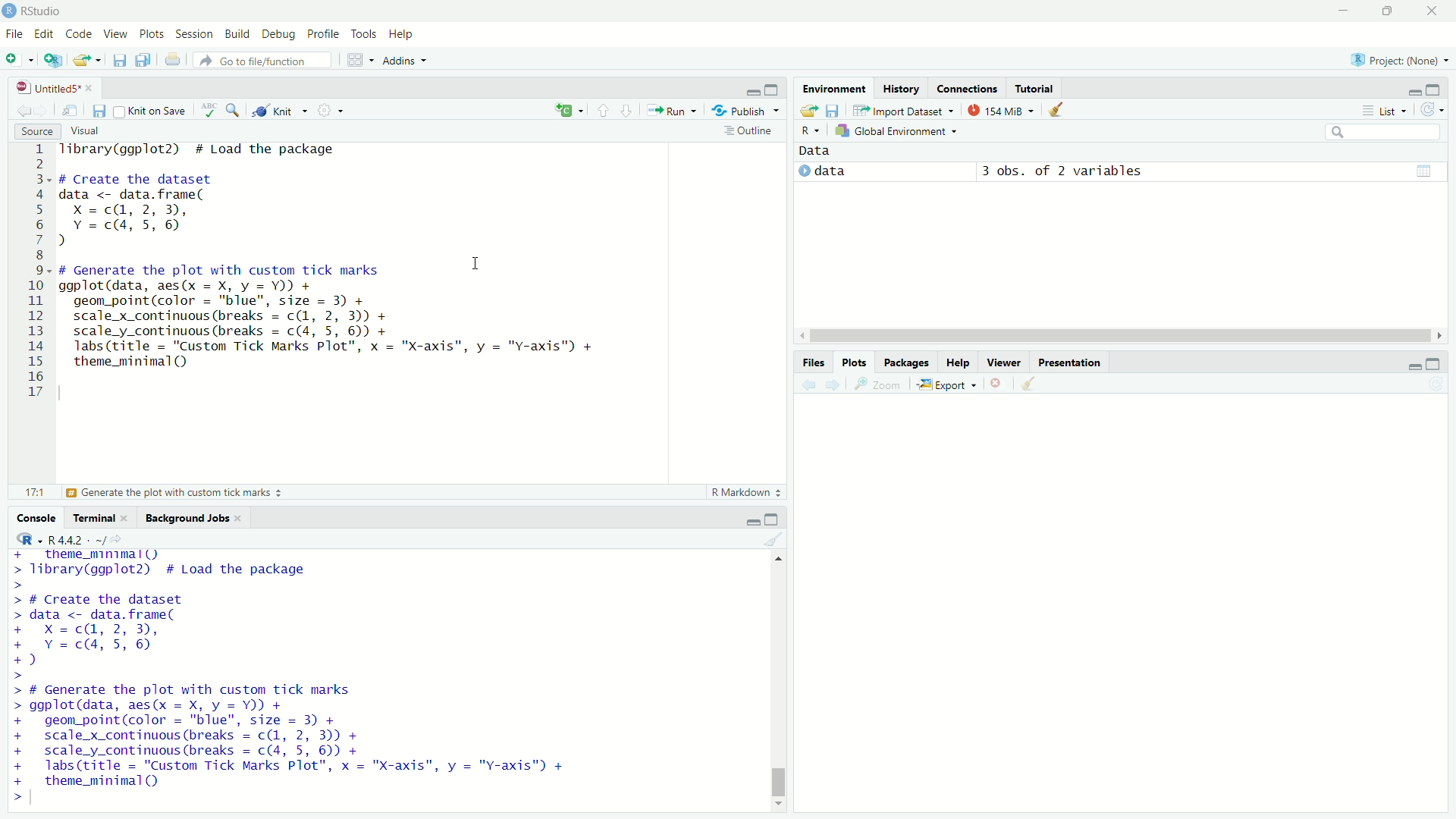 The height and width of the screenshot is (819, 1456). What do you see at coordinates (808, 111) in the screenshot?
I see `load workspace` at bounding box center [808, 111].